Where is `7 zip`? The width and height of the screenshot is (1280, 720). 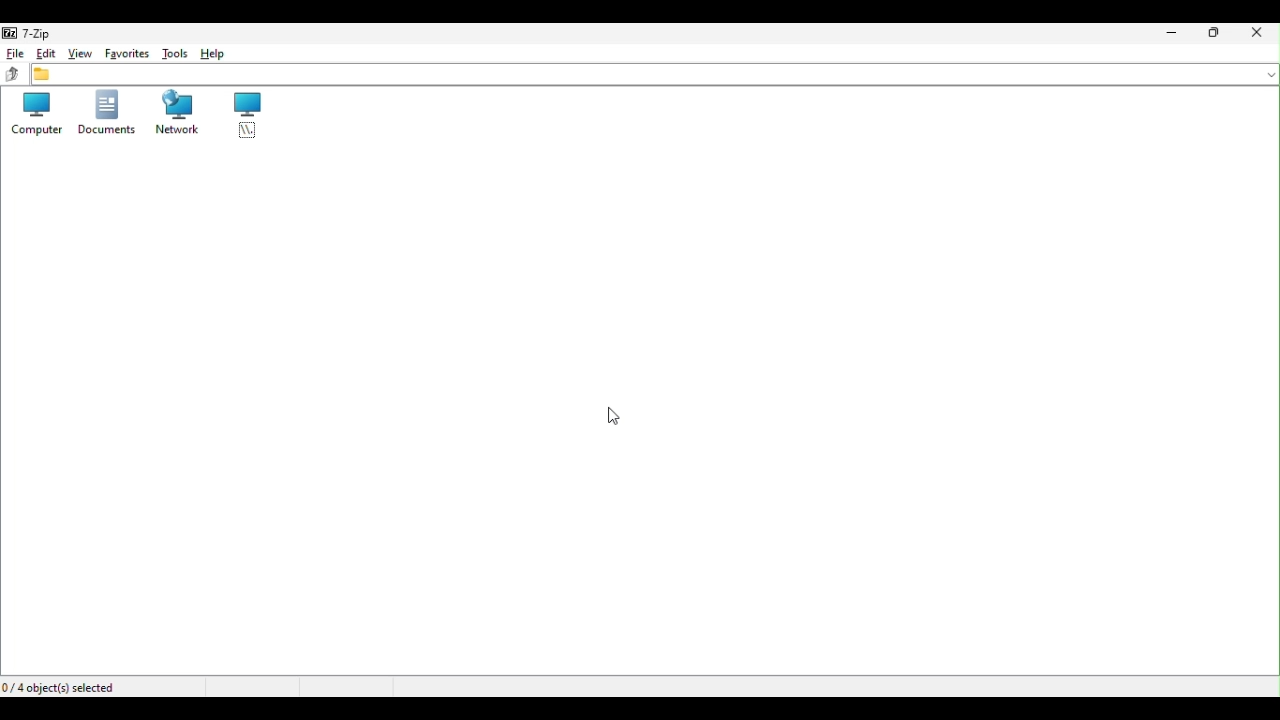 7 zip is located at coordinates (30, 32).